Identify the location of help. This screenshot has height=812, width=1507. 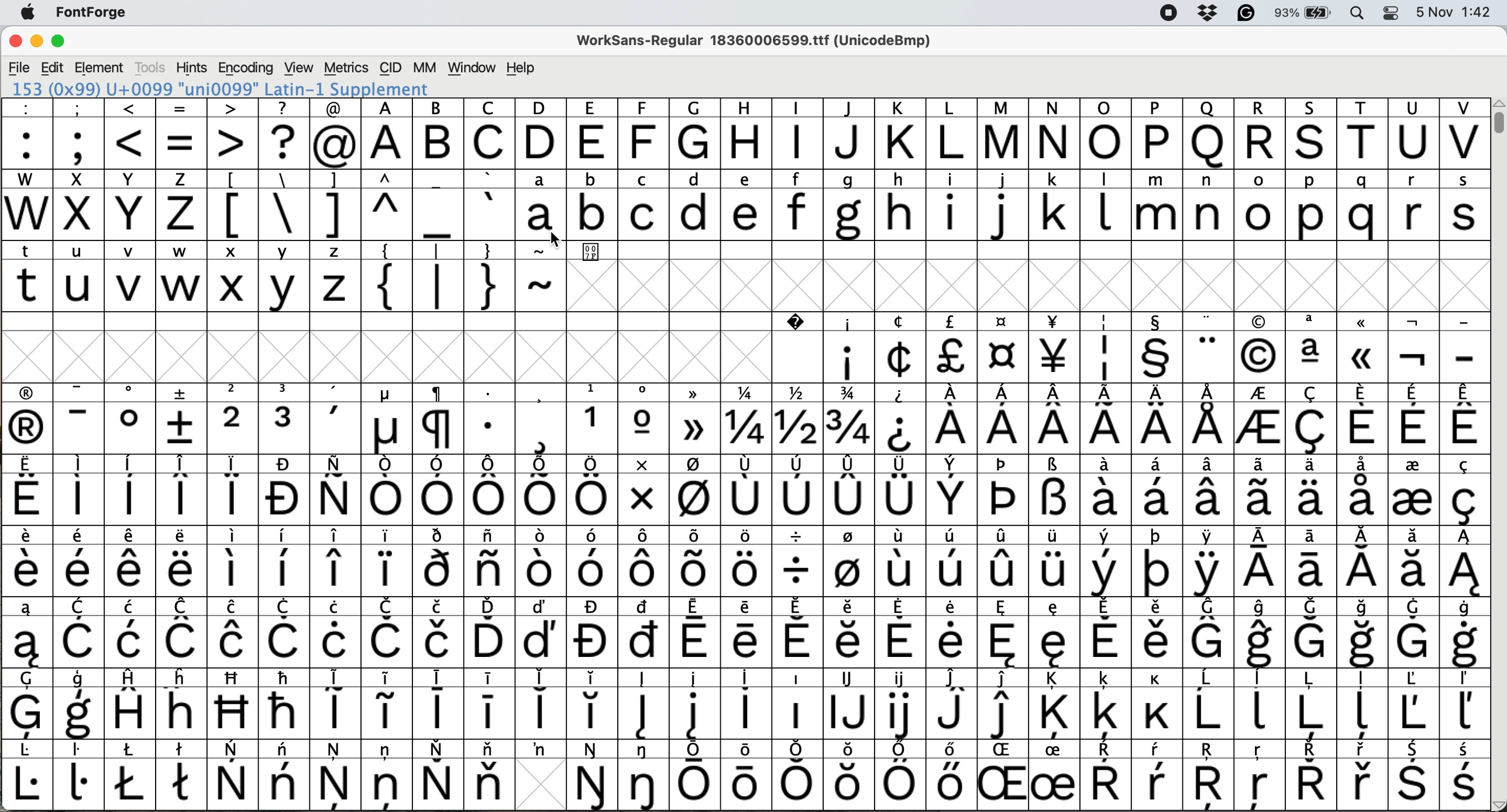
(522, 67).